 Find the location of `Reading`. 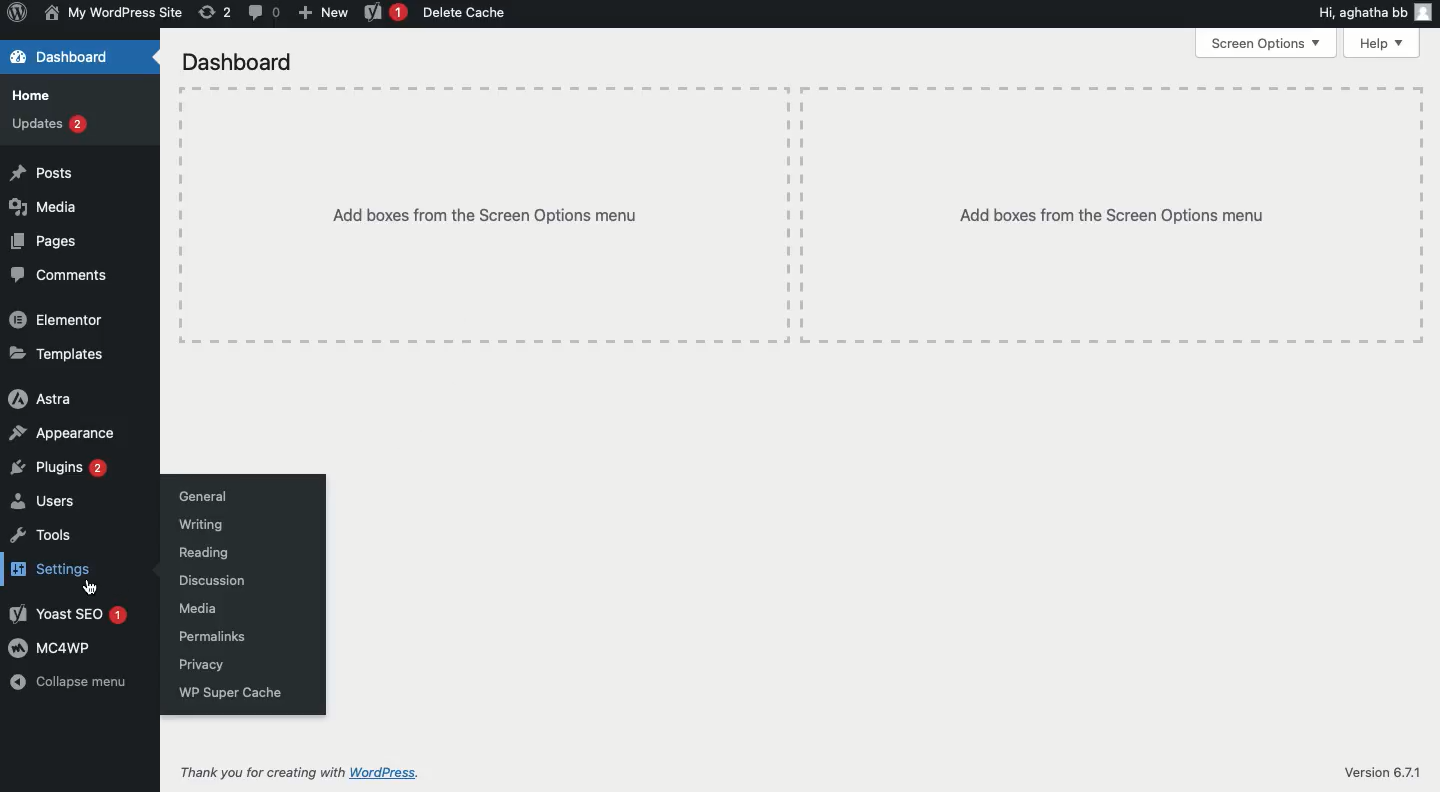

Reading is located at coordinates (206, 552).